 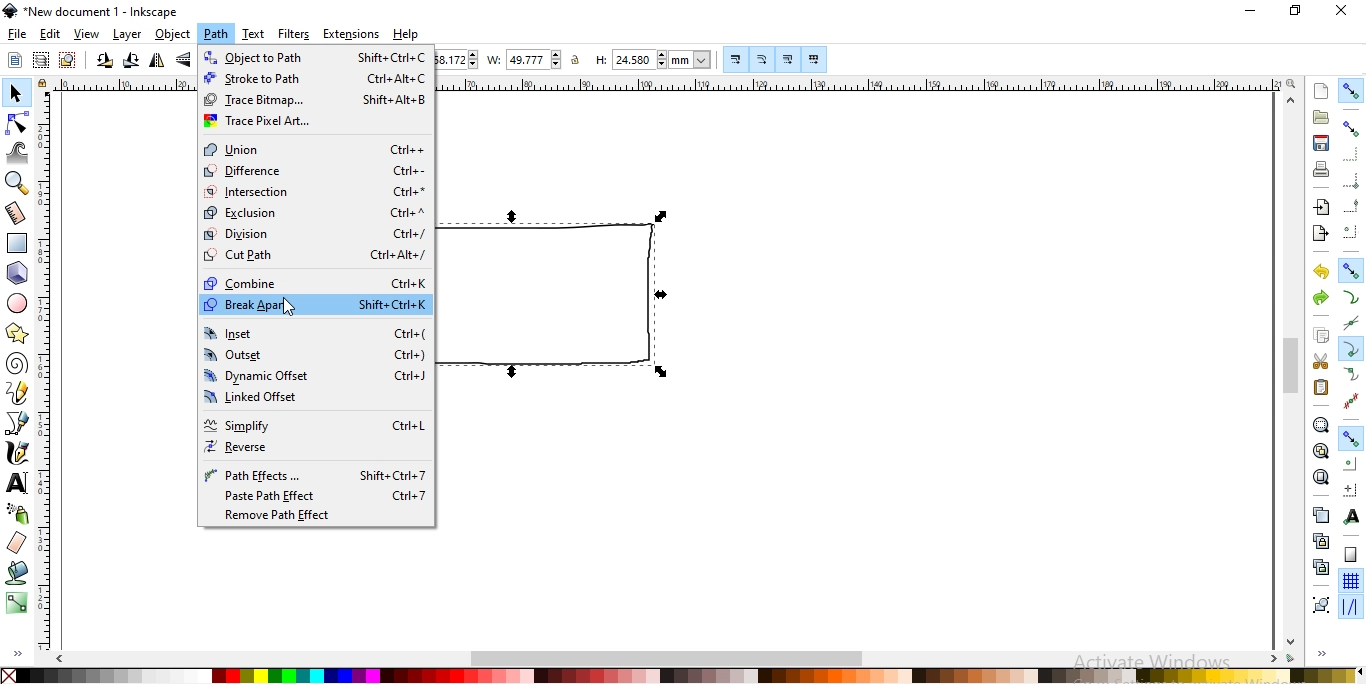 What do you see at coordinates (14, 212) in the screenshot?
I see `measurement tool` at bounding box center [14, 212].